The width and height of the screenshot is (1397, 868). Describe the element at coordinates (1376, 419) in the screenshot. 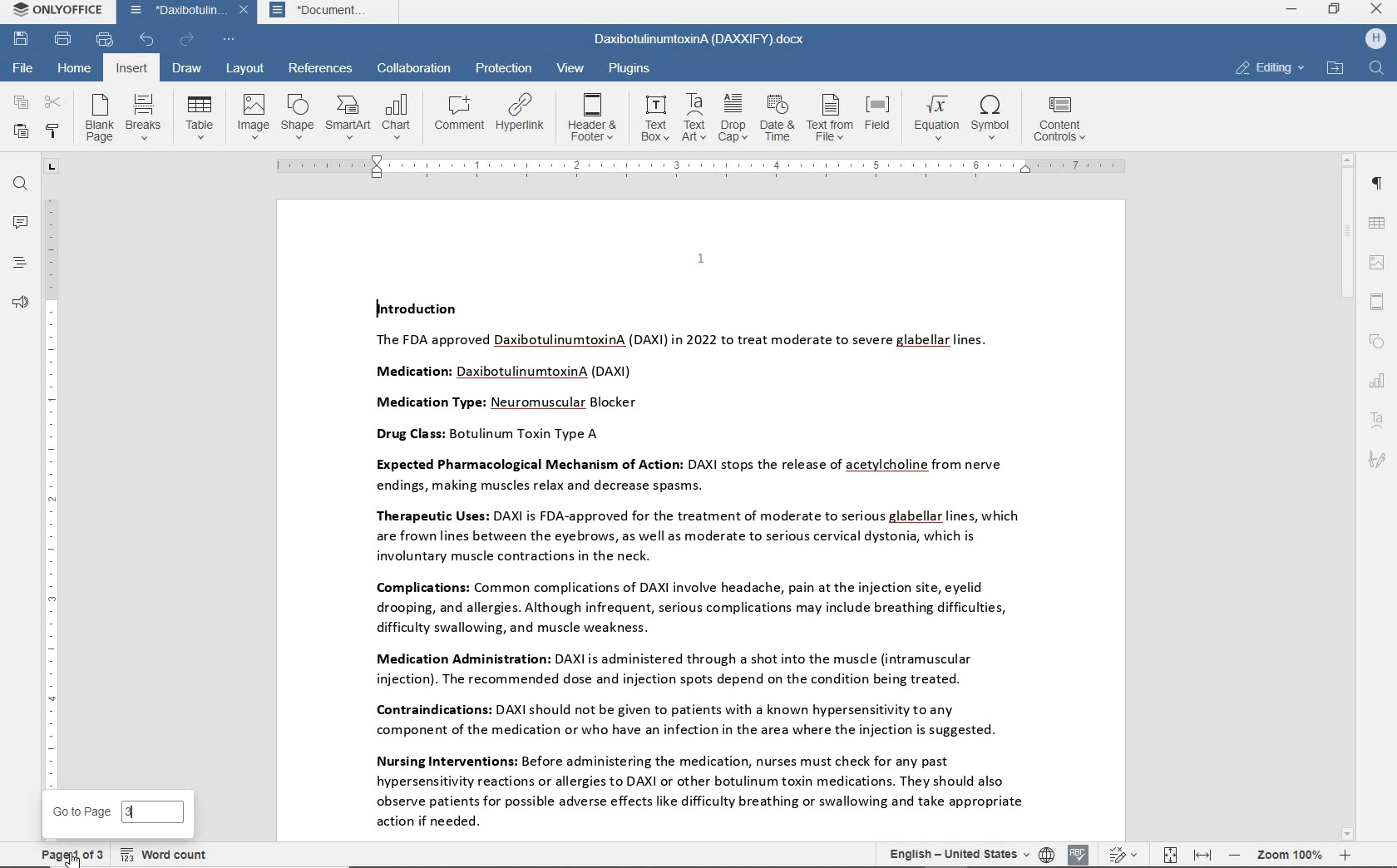

I see `textart` at that location.